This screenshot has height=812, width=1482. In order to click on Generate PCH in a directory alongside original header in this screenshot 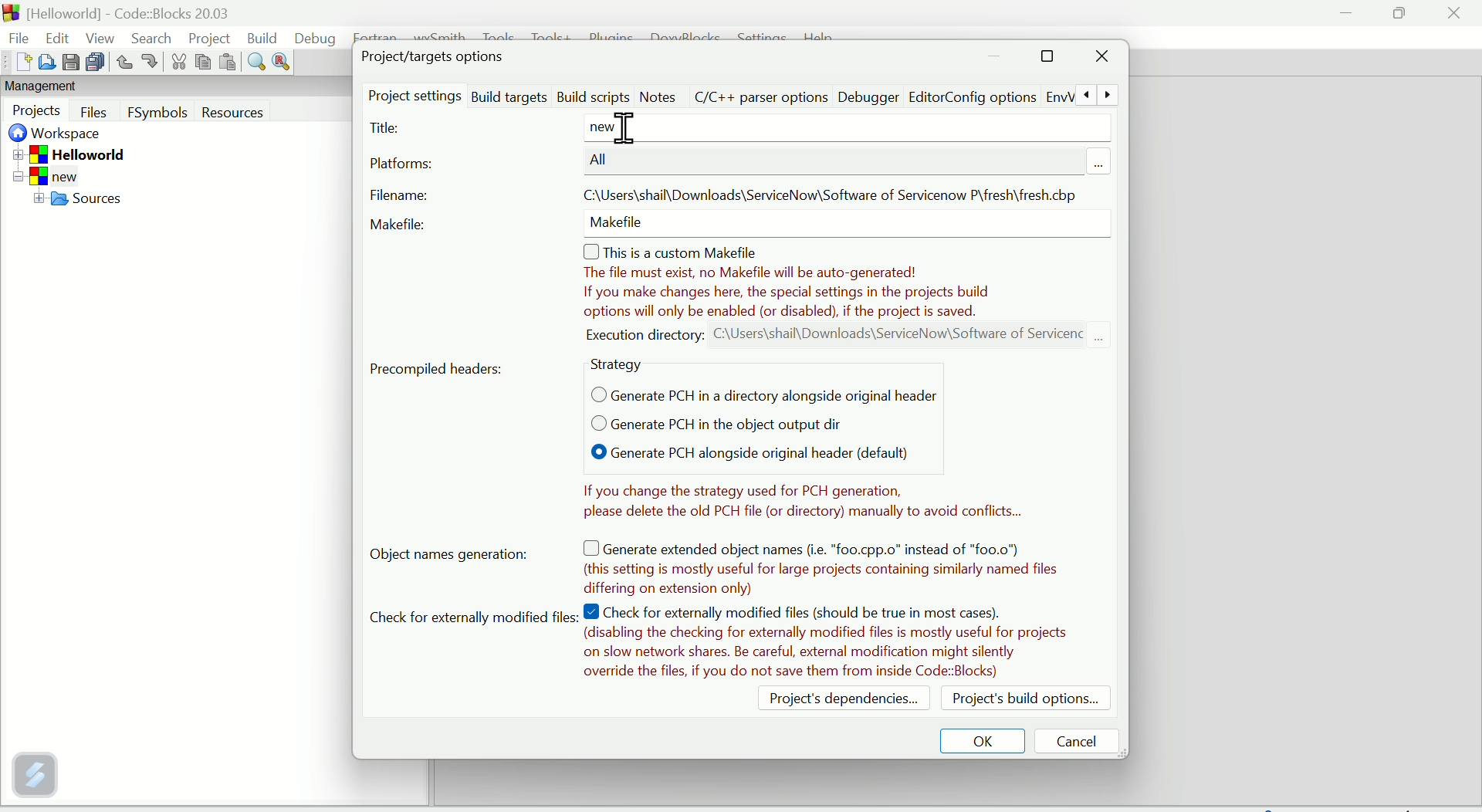, I will do `click(758, 394)`.